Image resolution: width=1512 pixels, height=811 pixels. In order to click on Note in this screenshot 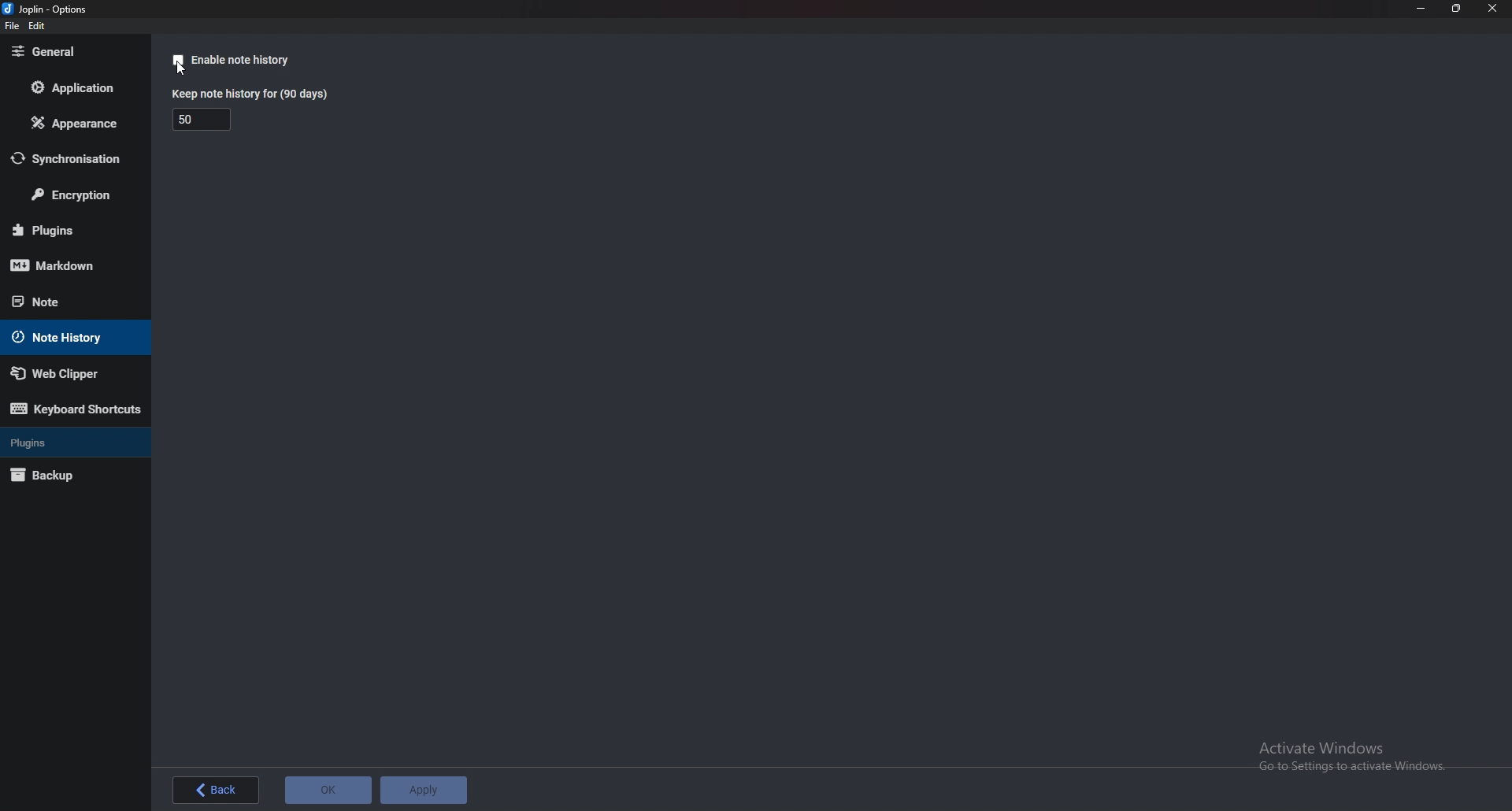, I will do `click(63, 300)`.